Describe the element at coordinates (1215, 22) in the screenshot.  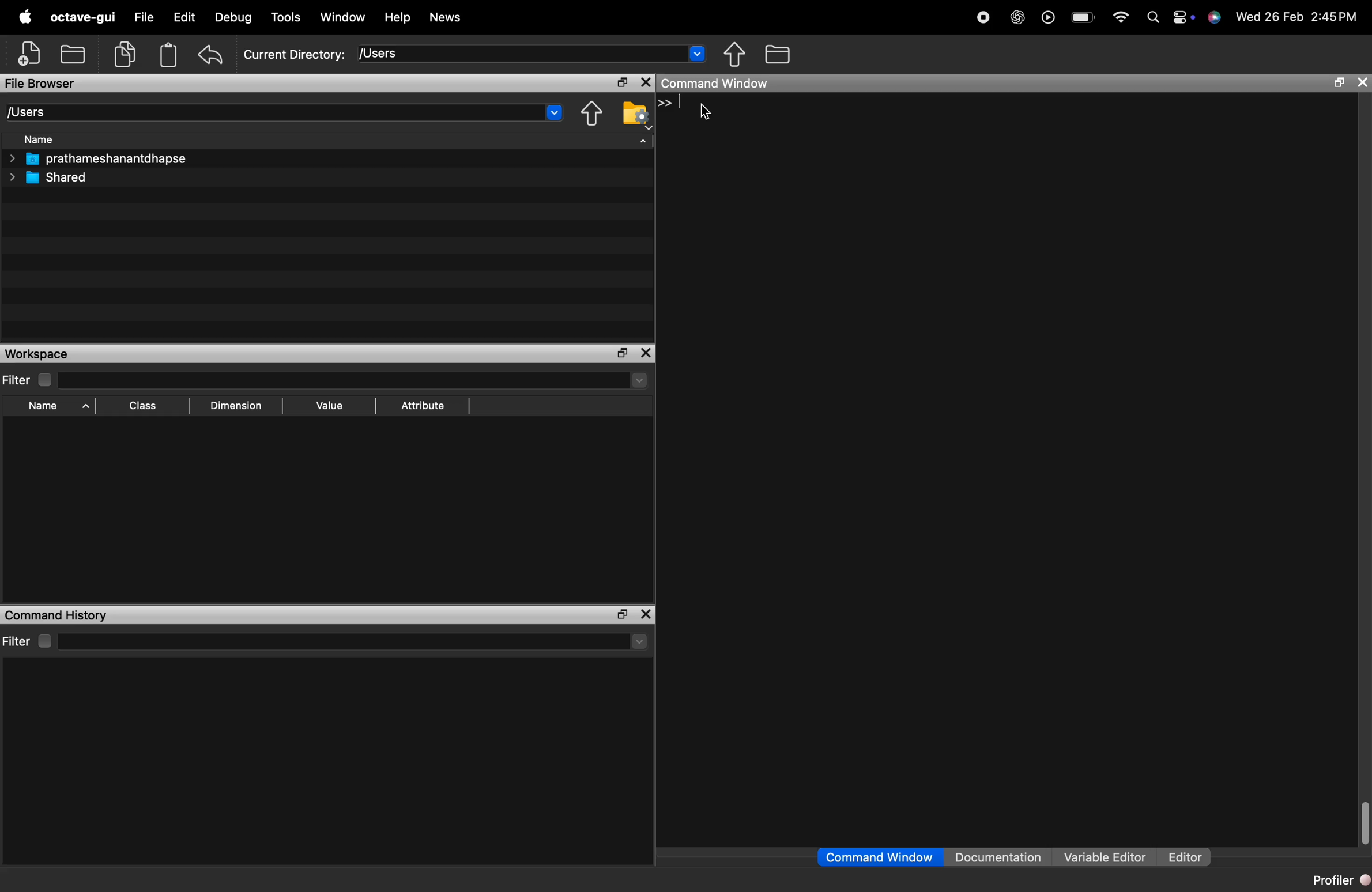
I see `siri` at that location.